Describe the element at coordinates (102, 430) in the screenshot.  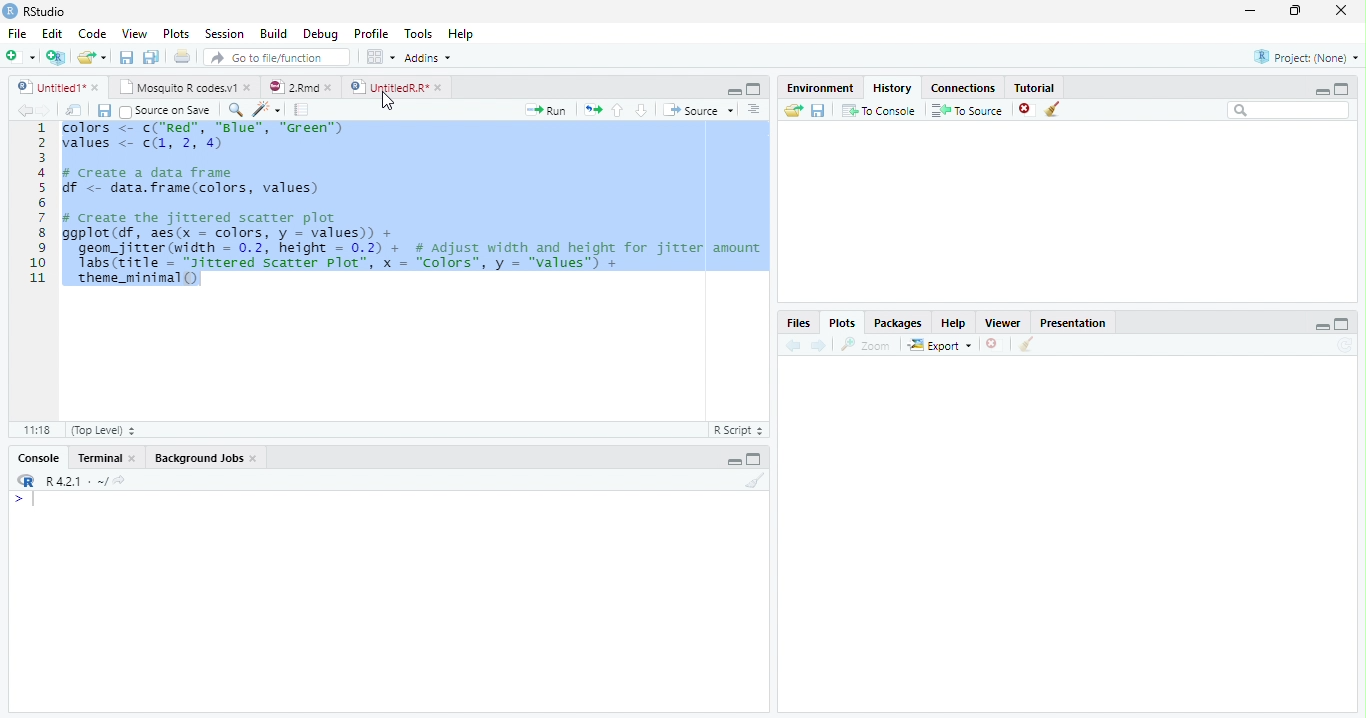
I see `(Top Level)` at that location.